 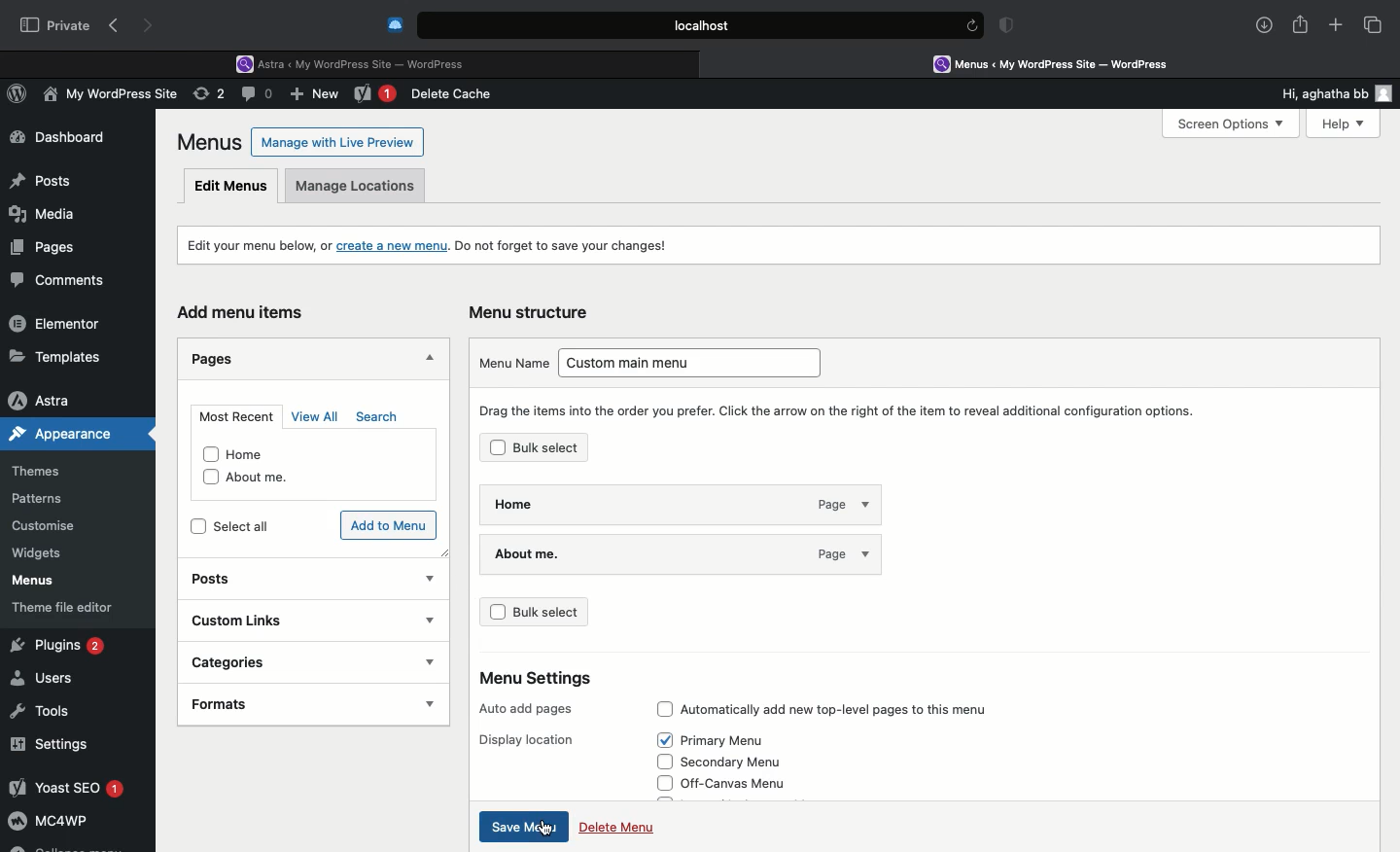 What do you see at coordinates (30, 581) in the screenshot?
I see `Menus` at bounding box center [30, 581].